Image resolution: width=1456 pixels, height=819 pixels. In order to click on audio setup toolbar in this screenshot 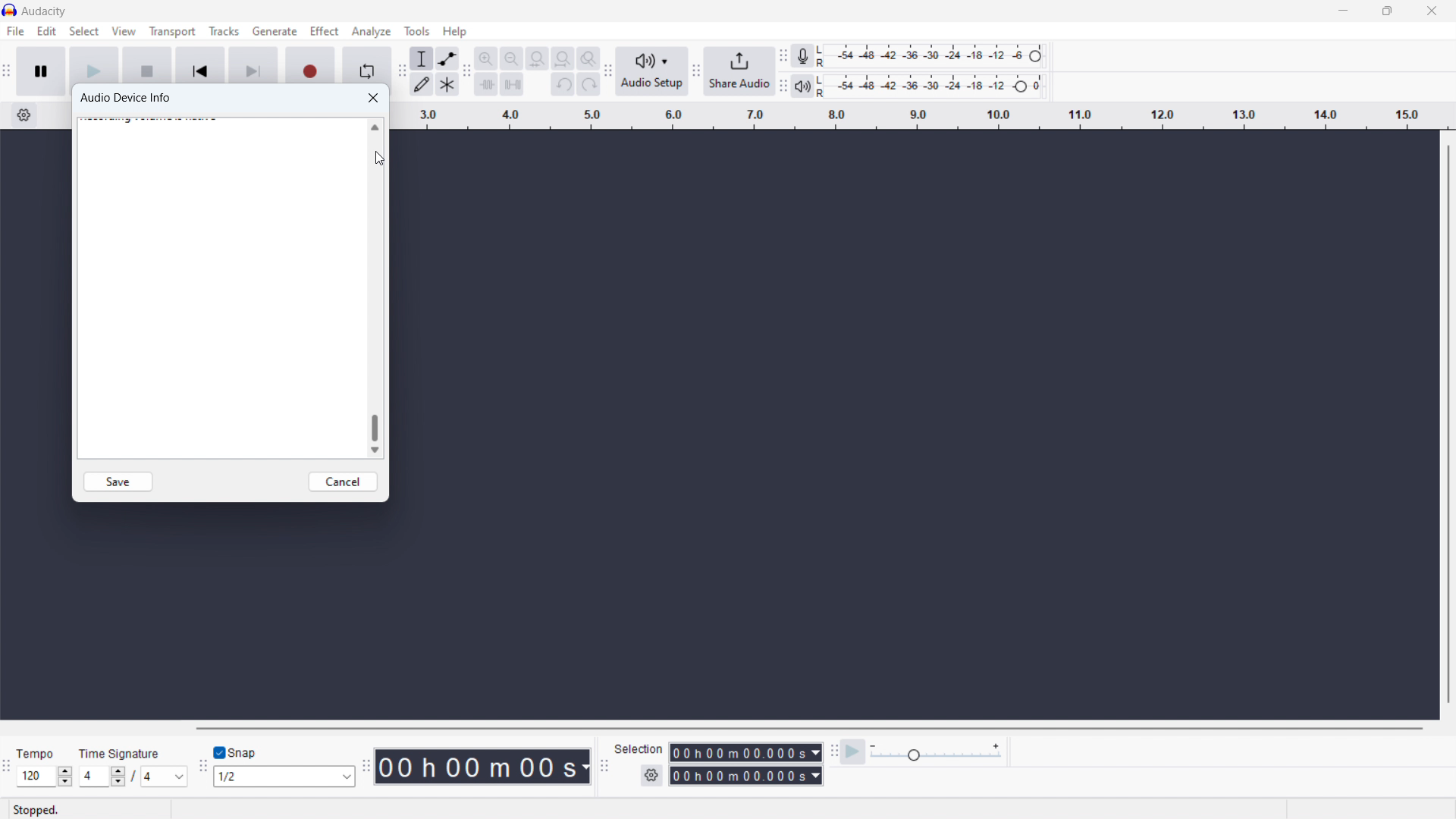, I will do `click(609, 72)`.